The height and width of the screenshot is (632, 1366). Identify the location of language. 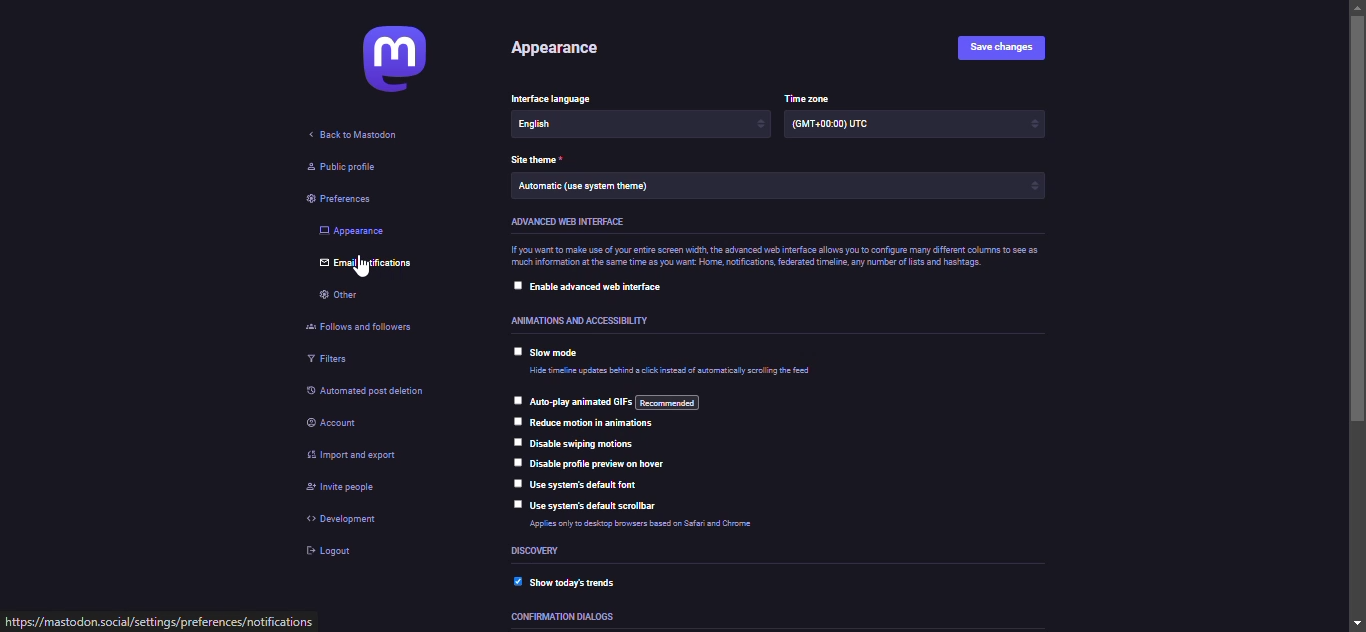
(555, 99).